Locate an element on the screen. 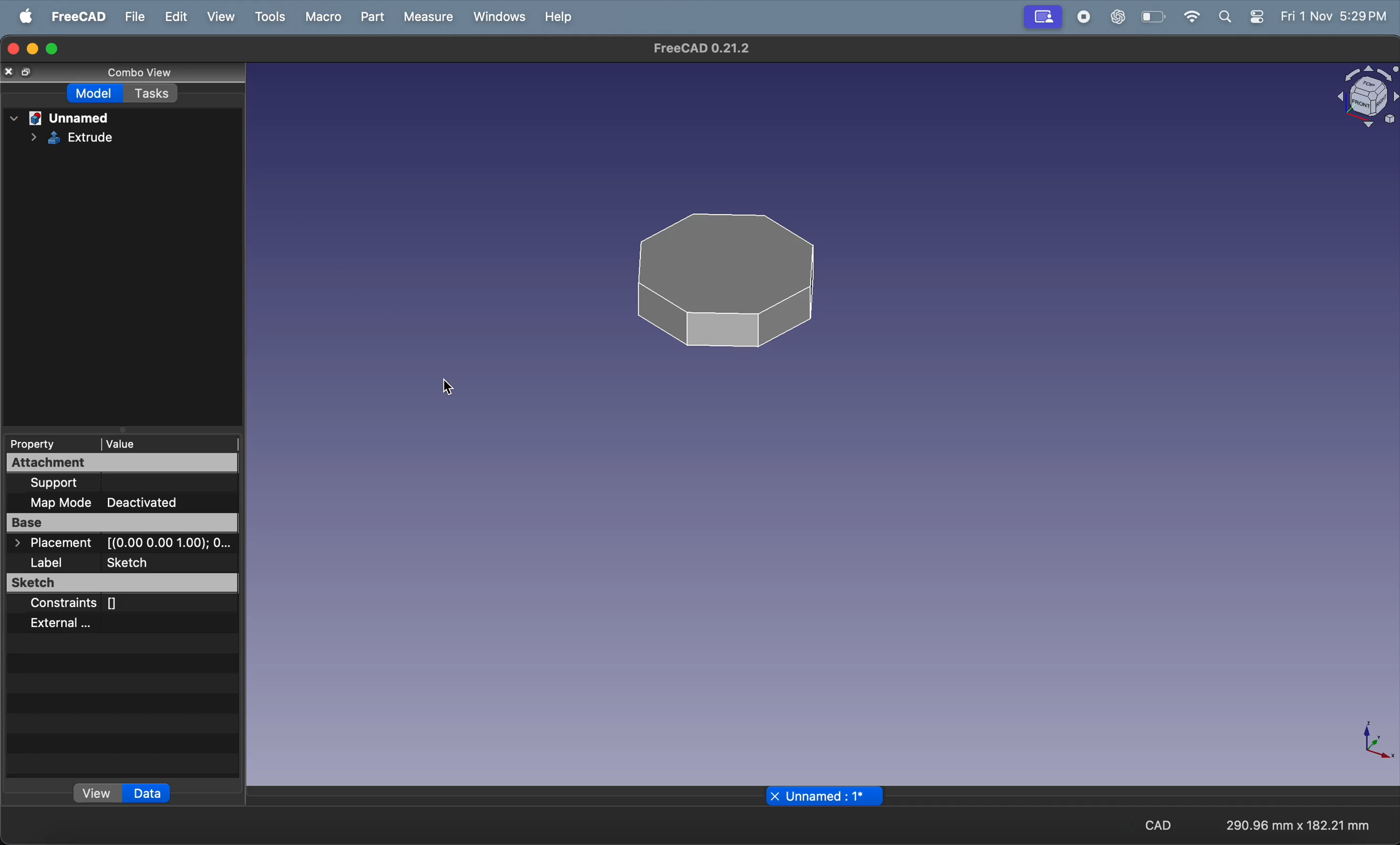 The width and height of the screenshot is (1400, 845). placement co ordinates is located at coordinates (122, 545).